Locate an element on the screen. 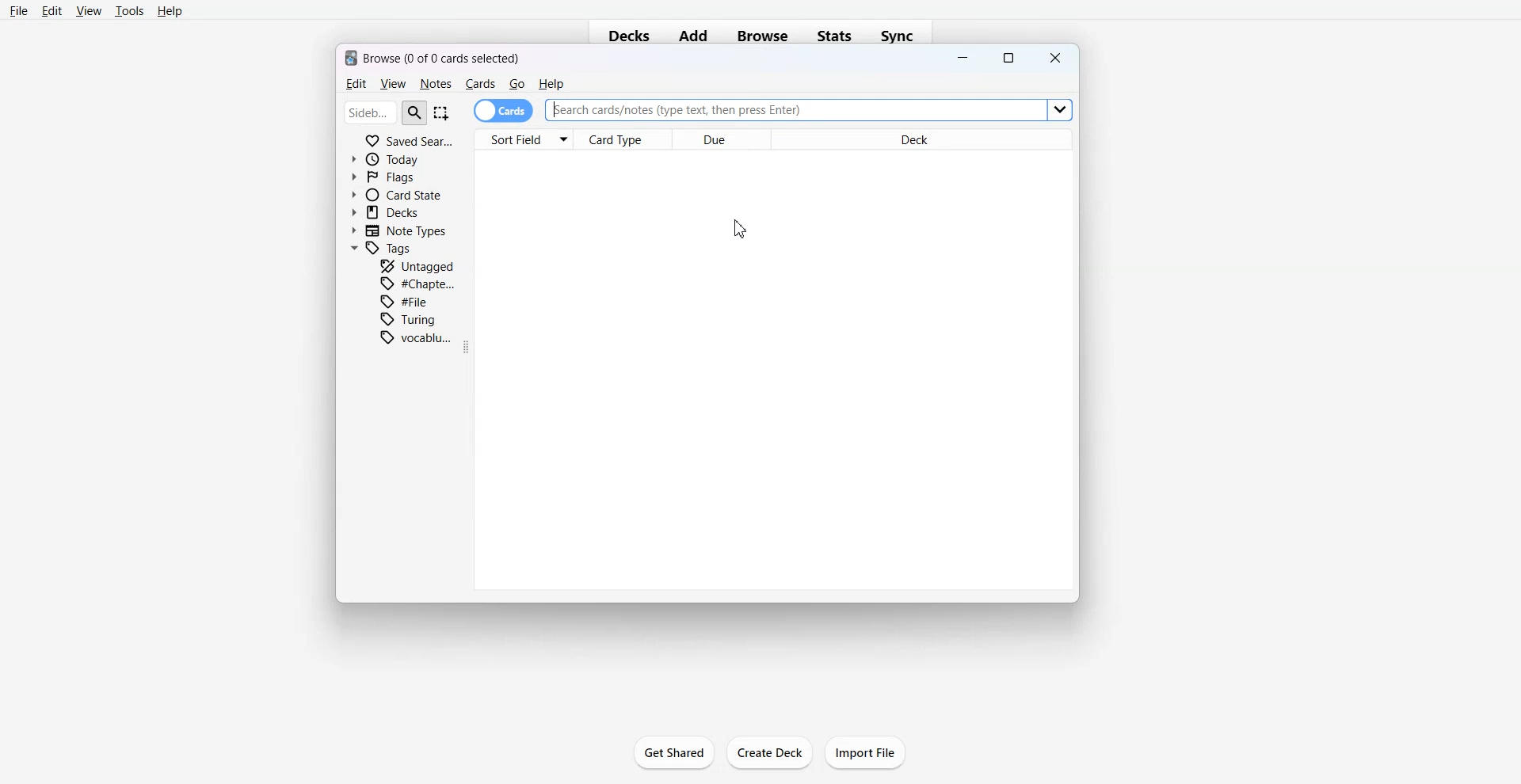 The width and height of the screenshot is (1521, 784). Decks is located at coordinates (387, 212).